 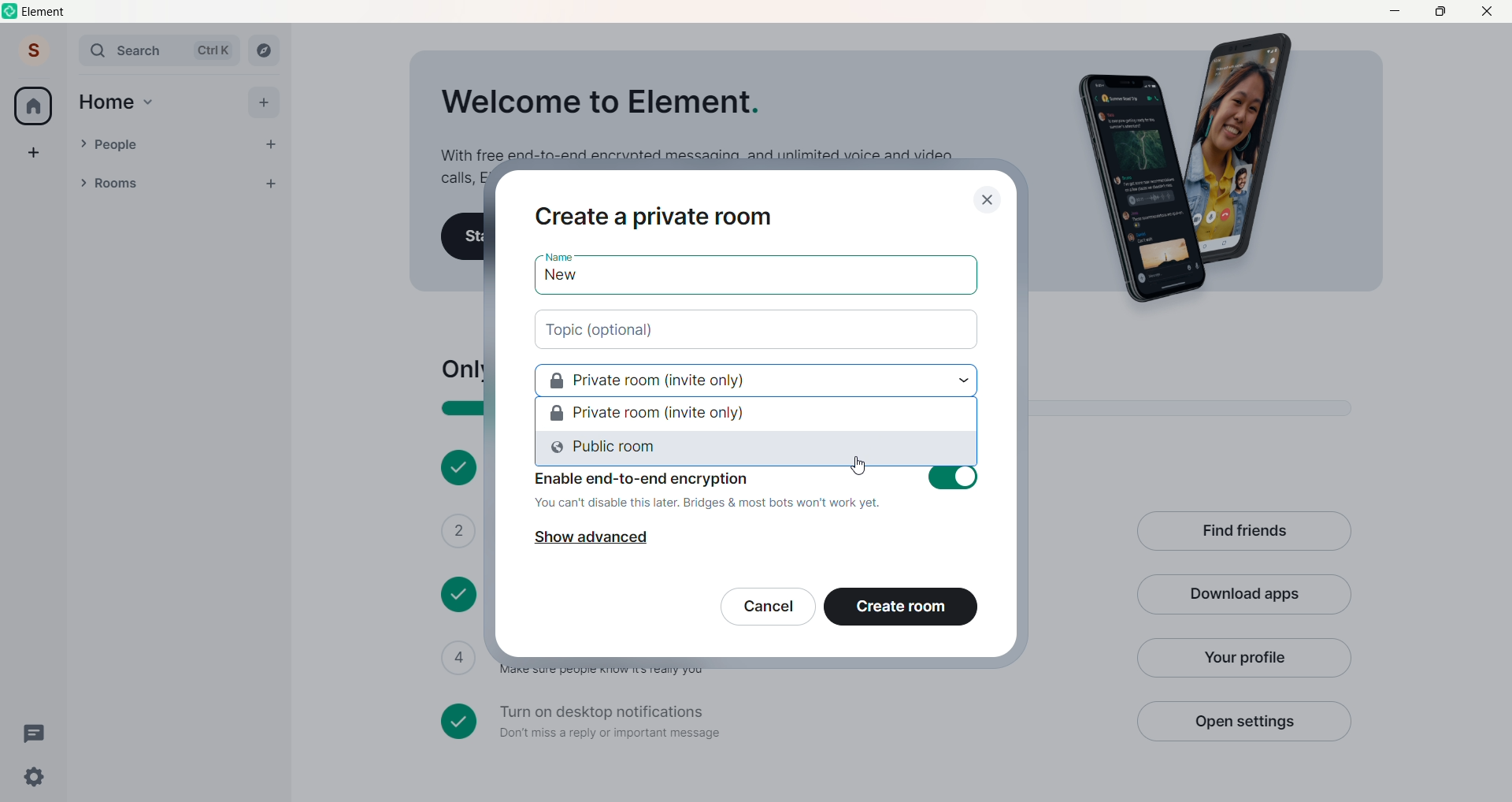 I want to click on Search Bar, so click(x=131, y=50).